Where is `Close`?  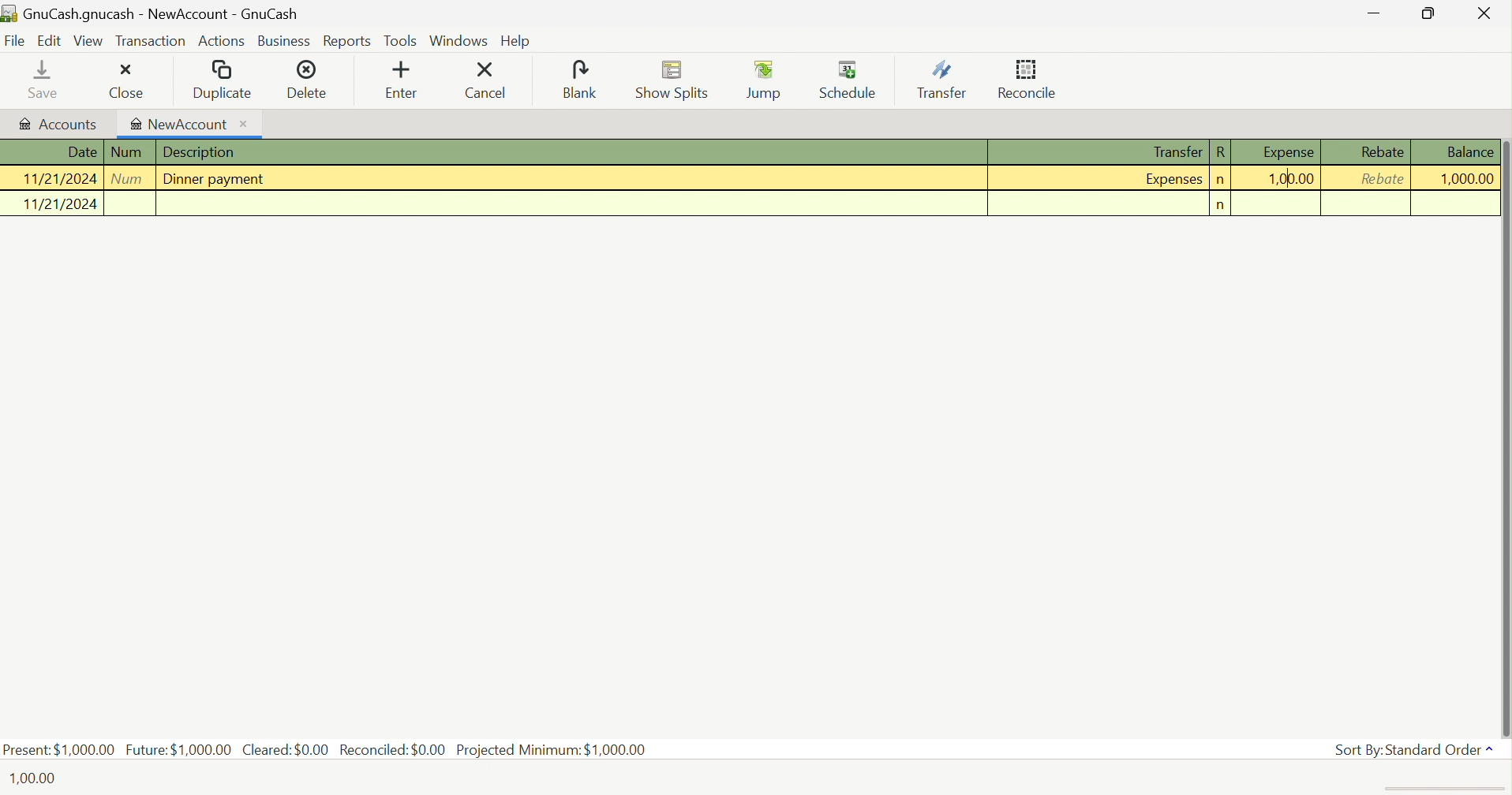
Close is located at coordinates (1481, 13).